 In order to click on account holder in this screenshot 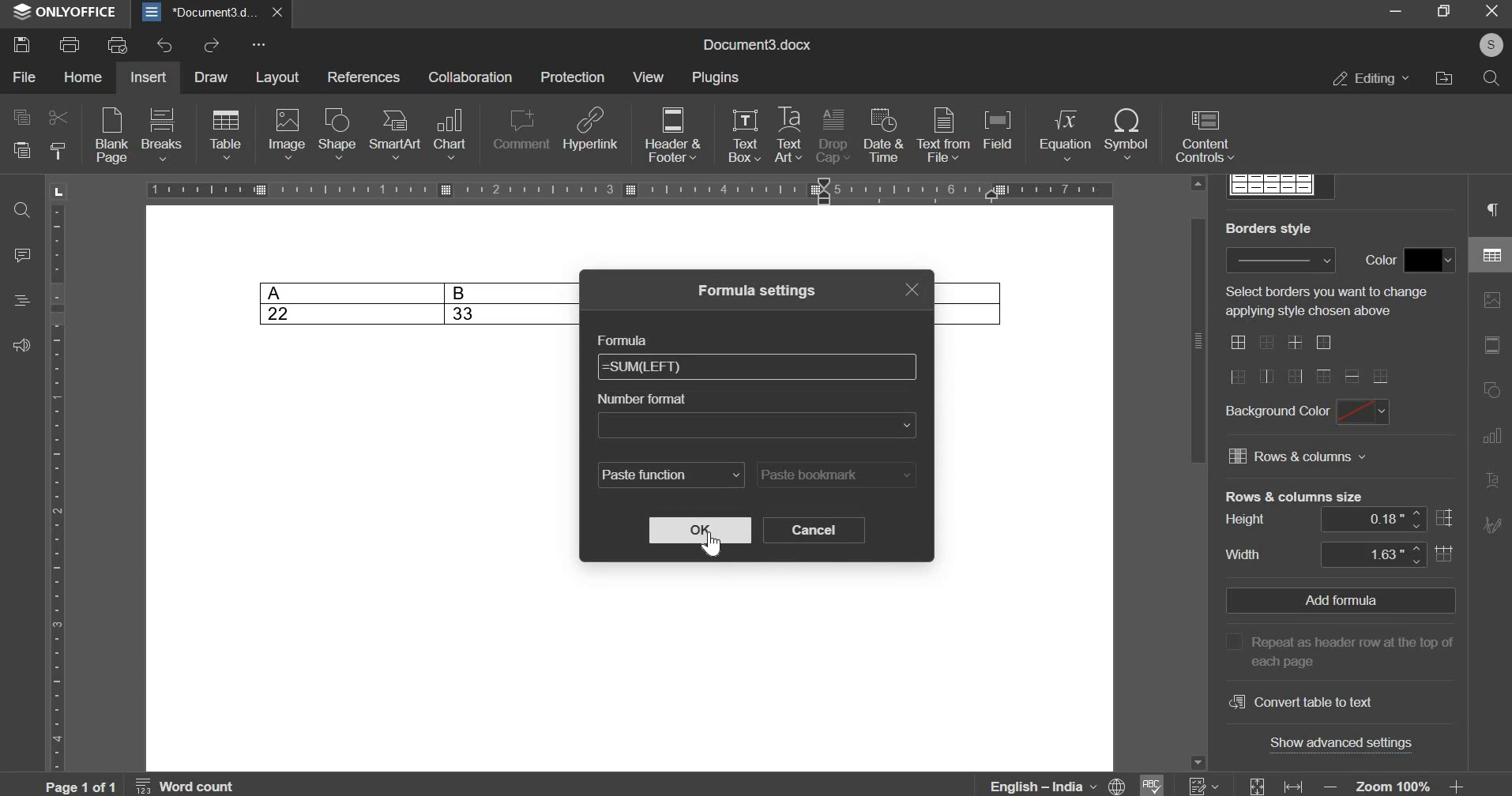, I will do `click(1491, 45)`.